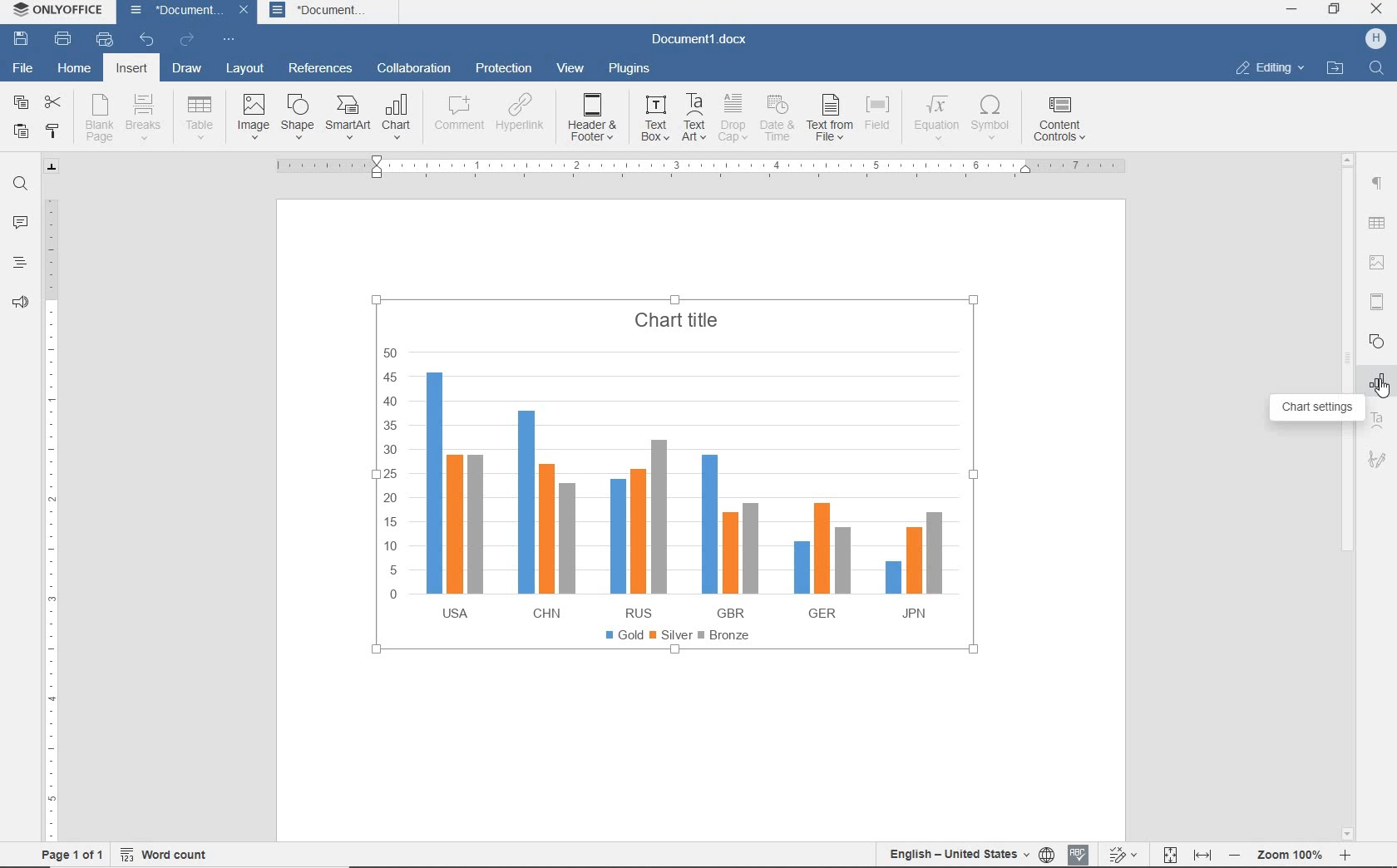  I want to click on text language, so click(958, 853).